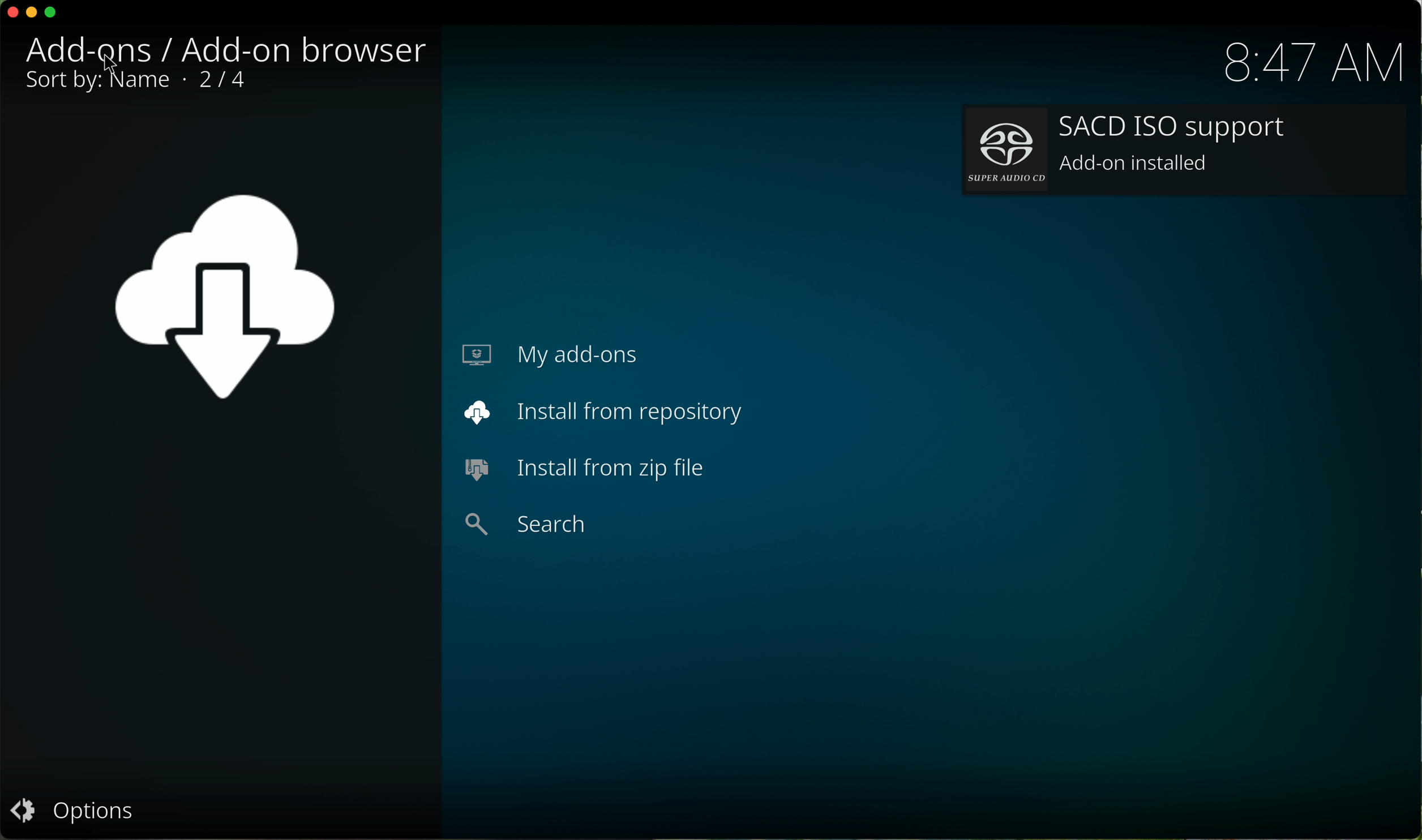  What do you see at coordinates (532, 524) in the screenshot?
I see `search` at bounding box center [532, 524].